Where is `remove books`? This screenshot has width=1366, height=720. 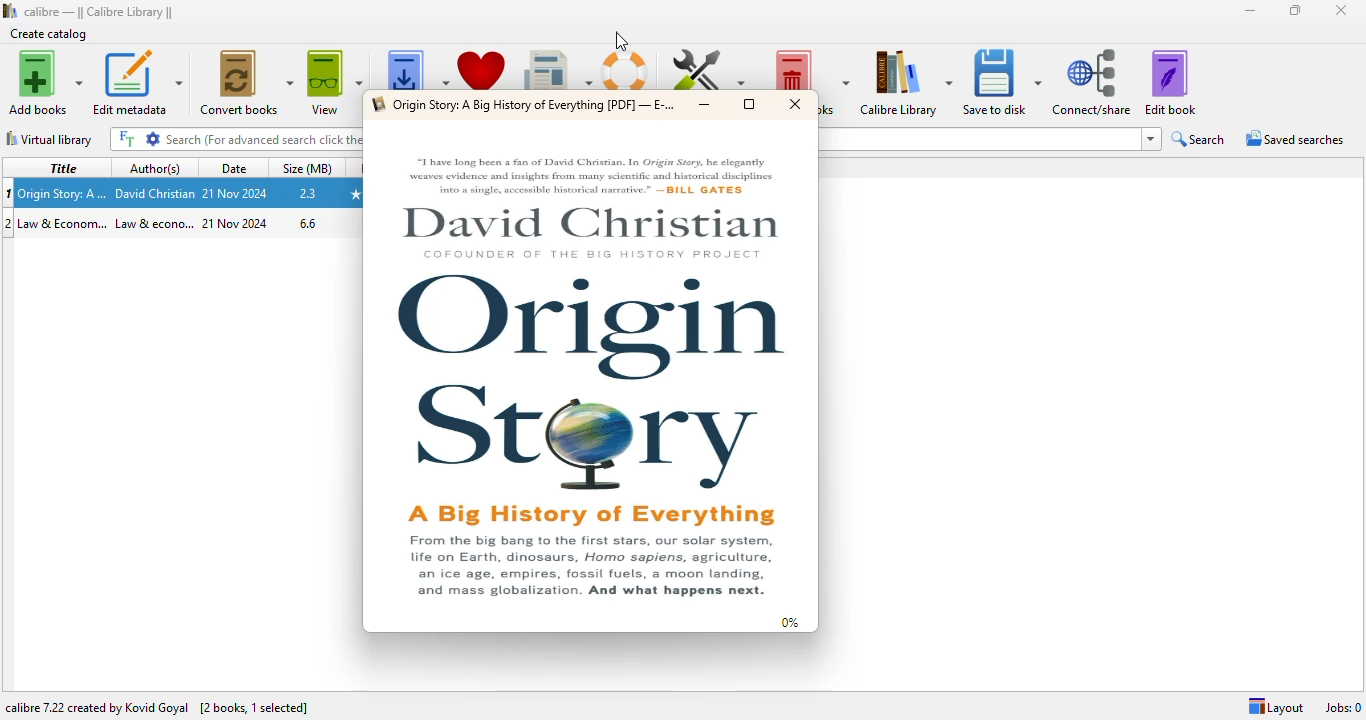
remove books is located at coordinates (803, 68).